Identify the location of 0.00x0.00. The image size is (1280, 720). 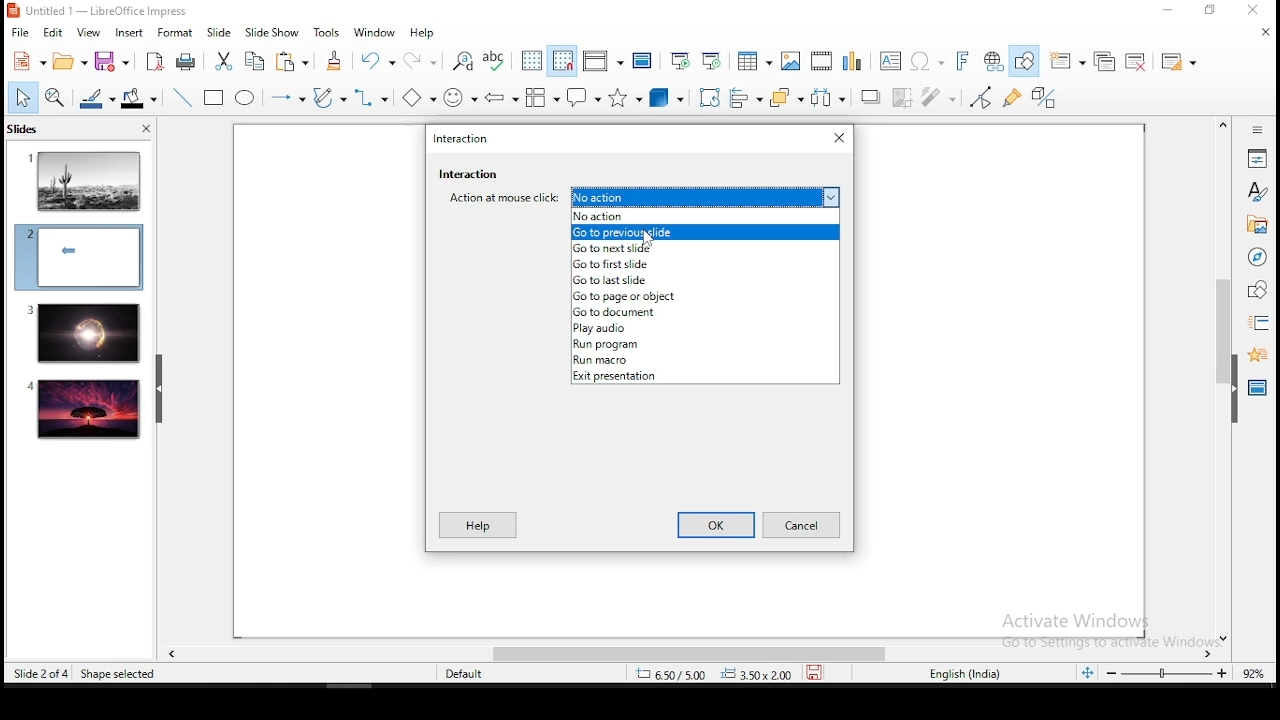
(757, 674).